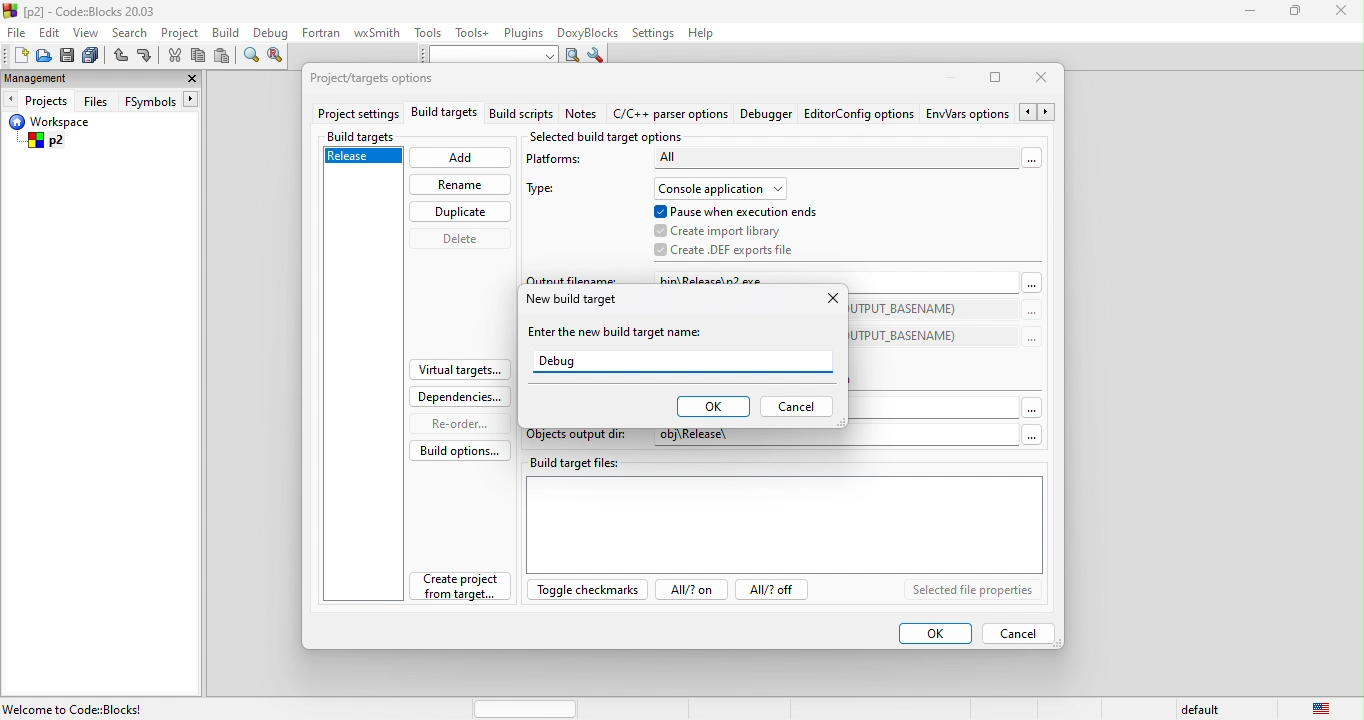 This screenshot has width=1364, height=720. What do you see at coordinates (782, 516) in the screenshot?
I see `build target file` at bounding box center [782, 516].